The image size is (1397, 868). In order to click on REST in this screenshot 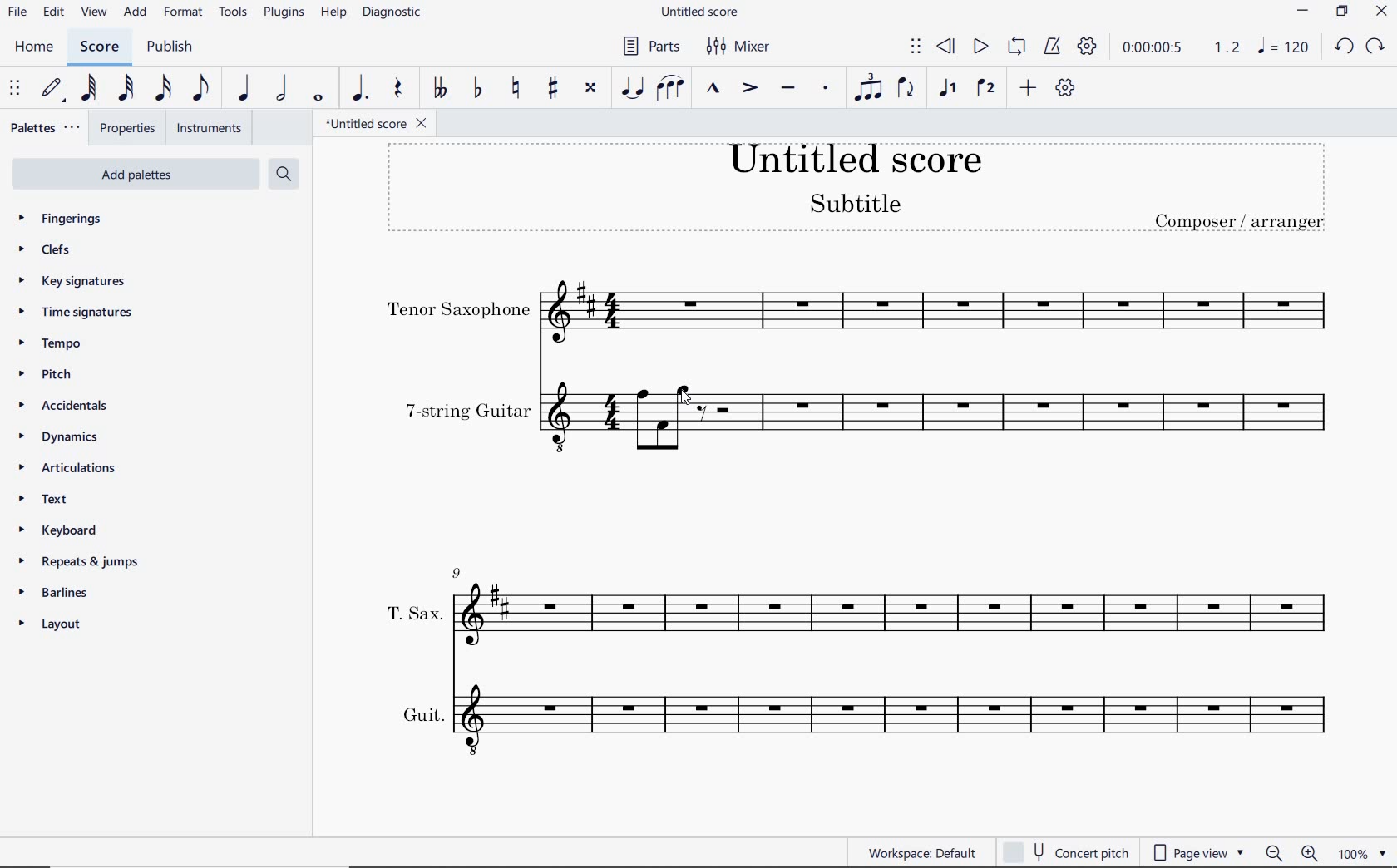, I will do `click(399, 89)`.